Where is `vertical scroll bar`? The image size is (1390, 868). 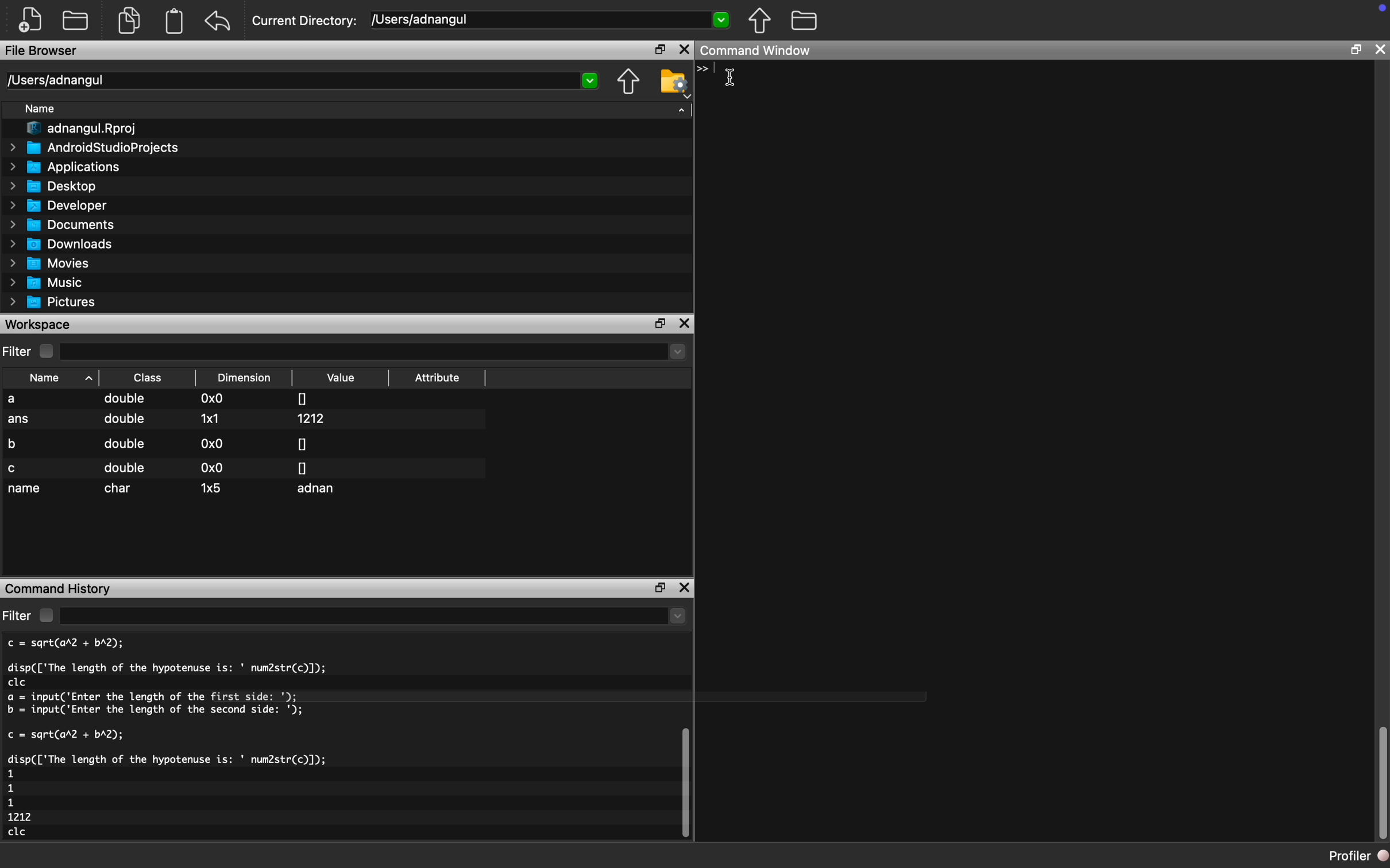 vertical scroll bar is located at coordinates (682, 781).